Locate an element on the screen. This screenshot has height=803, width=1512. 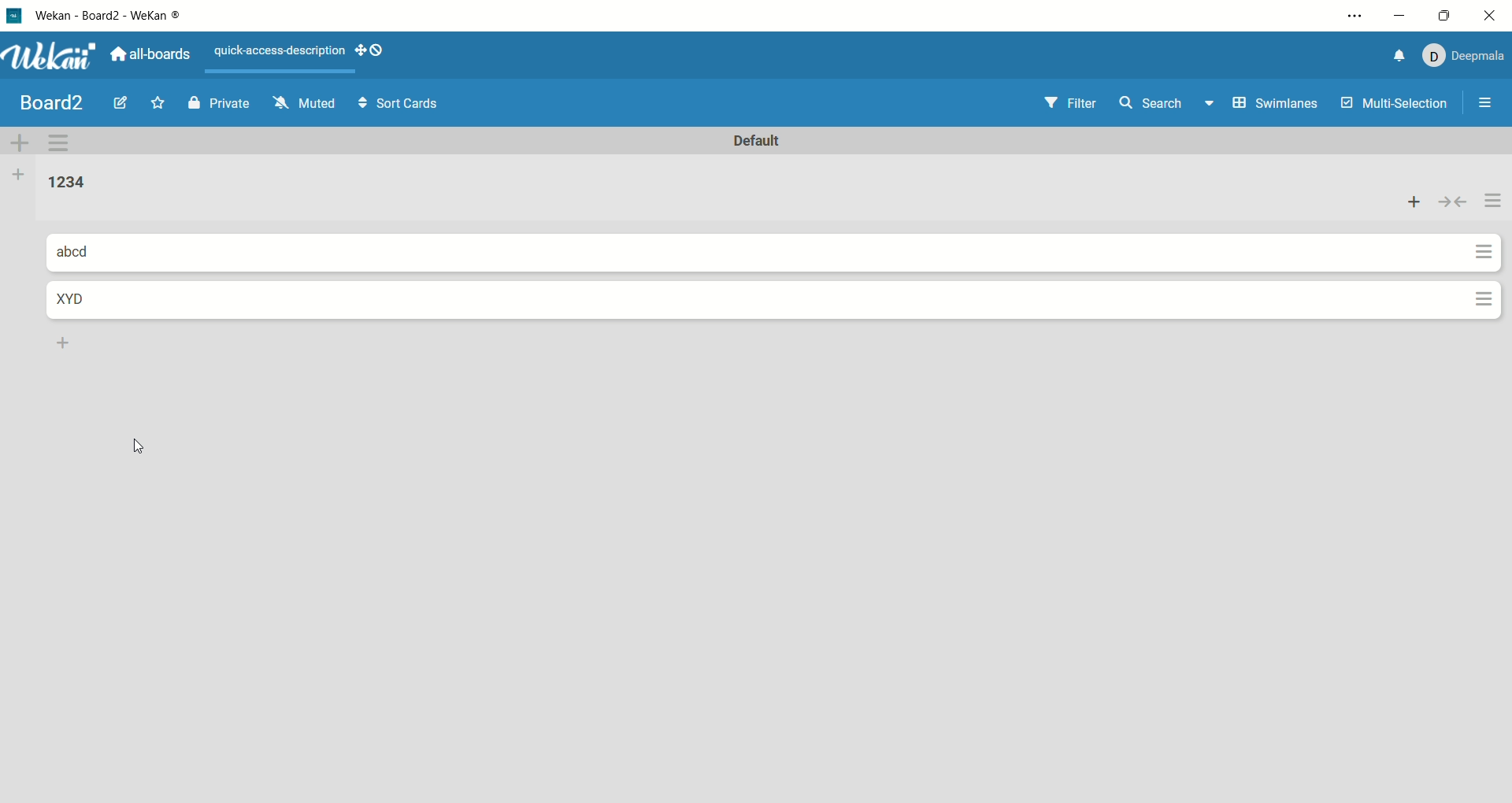
swimlanes is located at coordinates (1275, 99).